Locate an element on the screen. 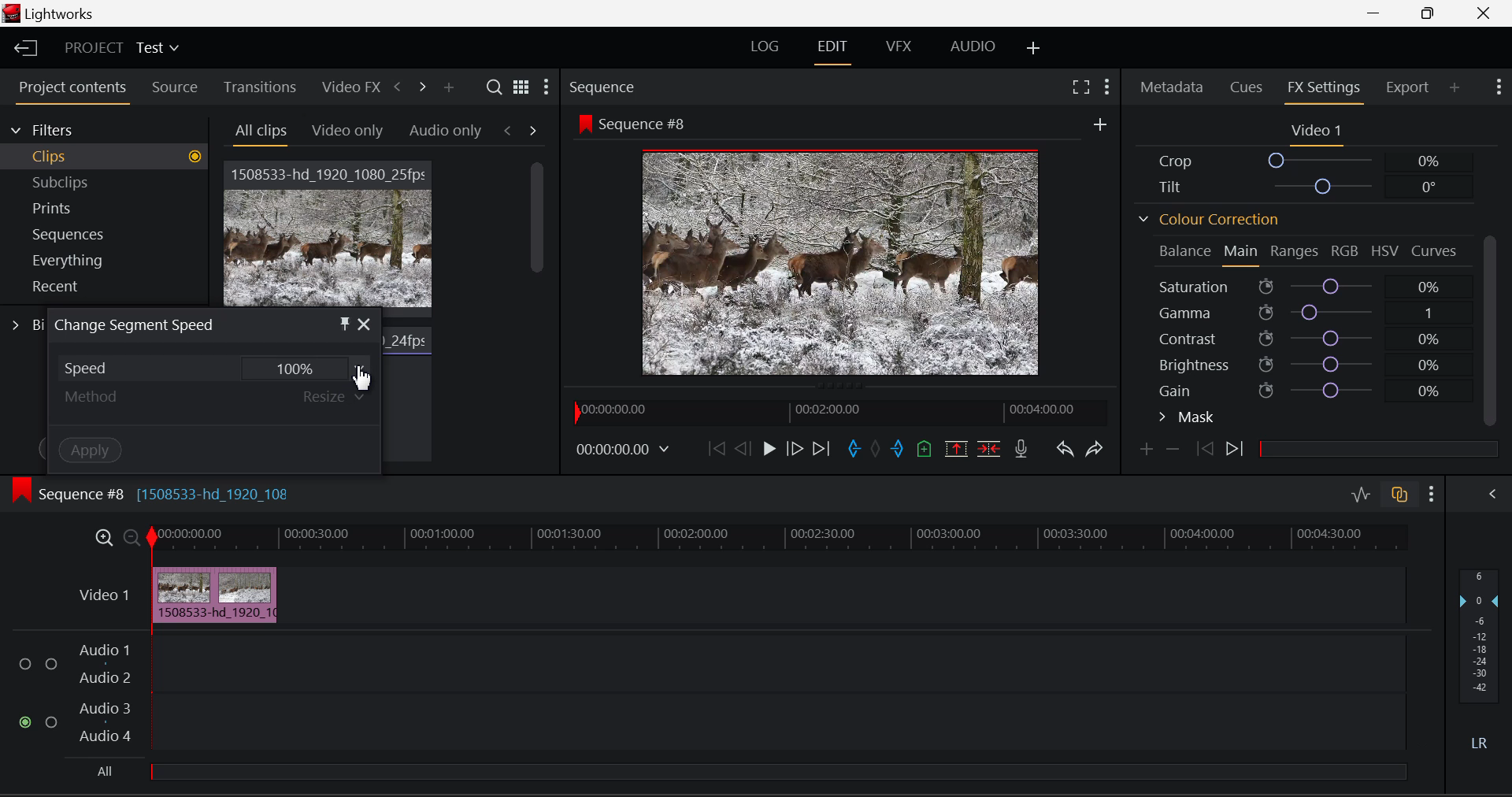  Export is located at coordinates (1408, 89).